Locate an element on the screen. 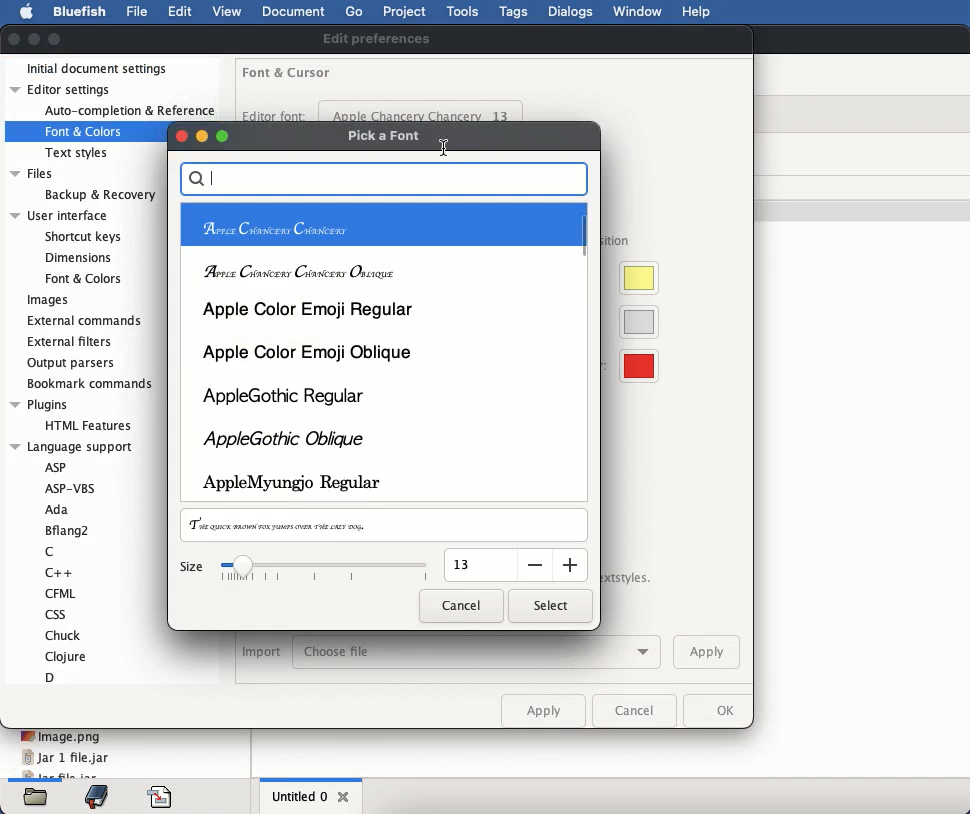 This screenshot has height=814, width=970. jar 1 file is located at coordinates (65, 758).